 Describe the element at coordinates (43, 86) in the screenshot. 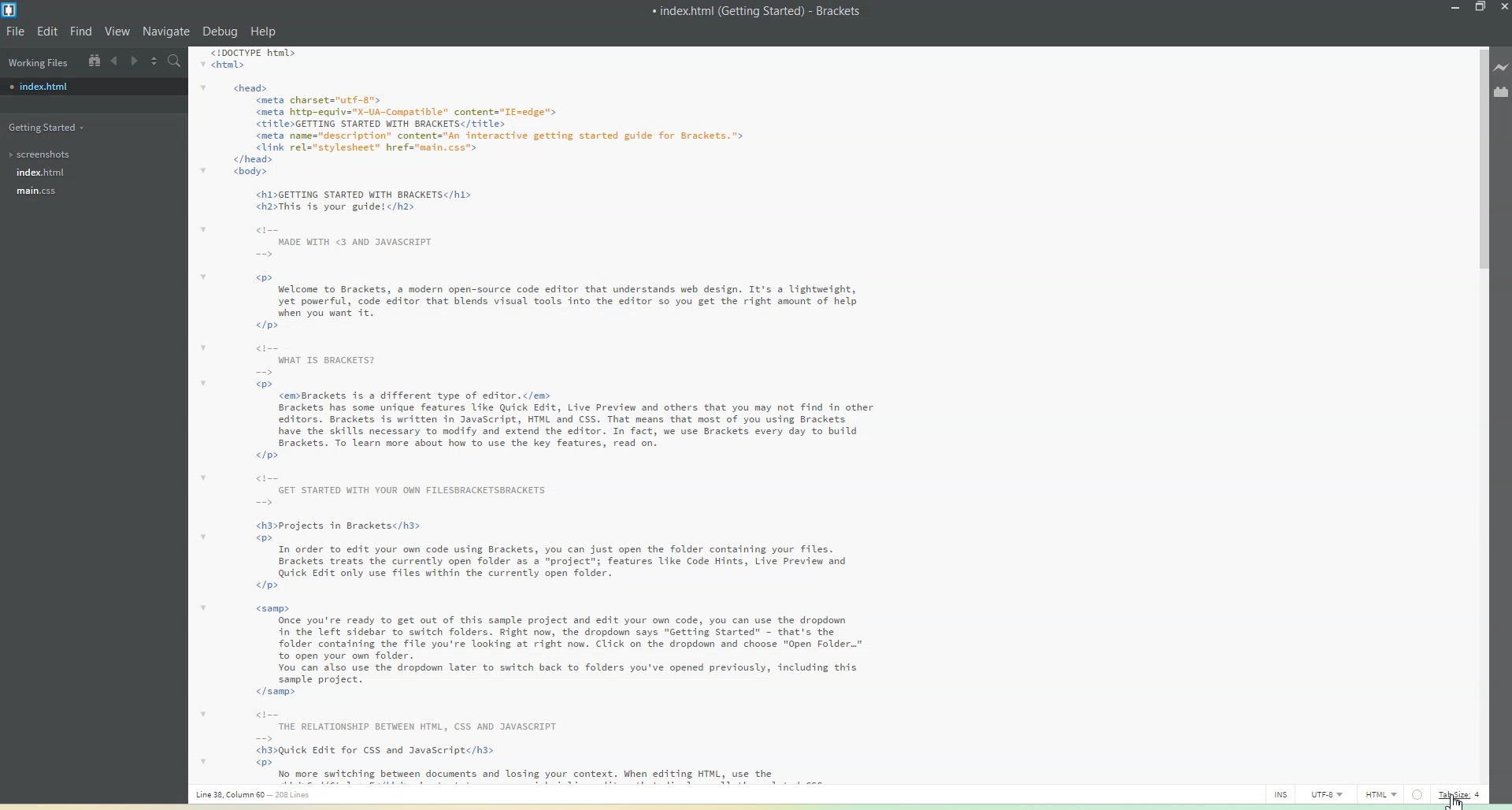

I see `Index.html` at that location.